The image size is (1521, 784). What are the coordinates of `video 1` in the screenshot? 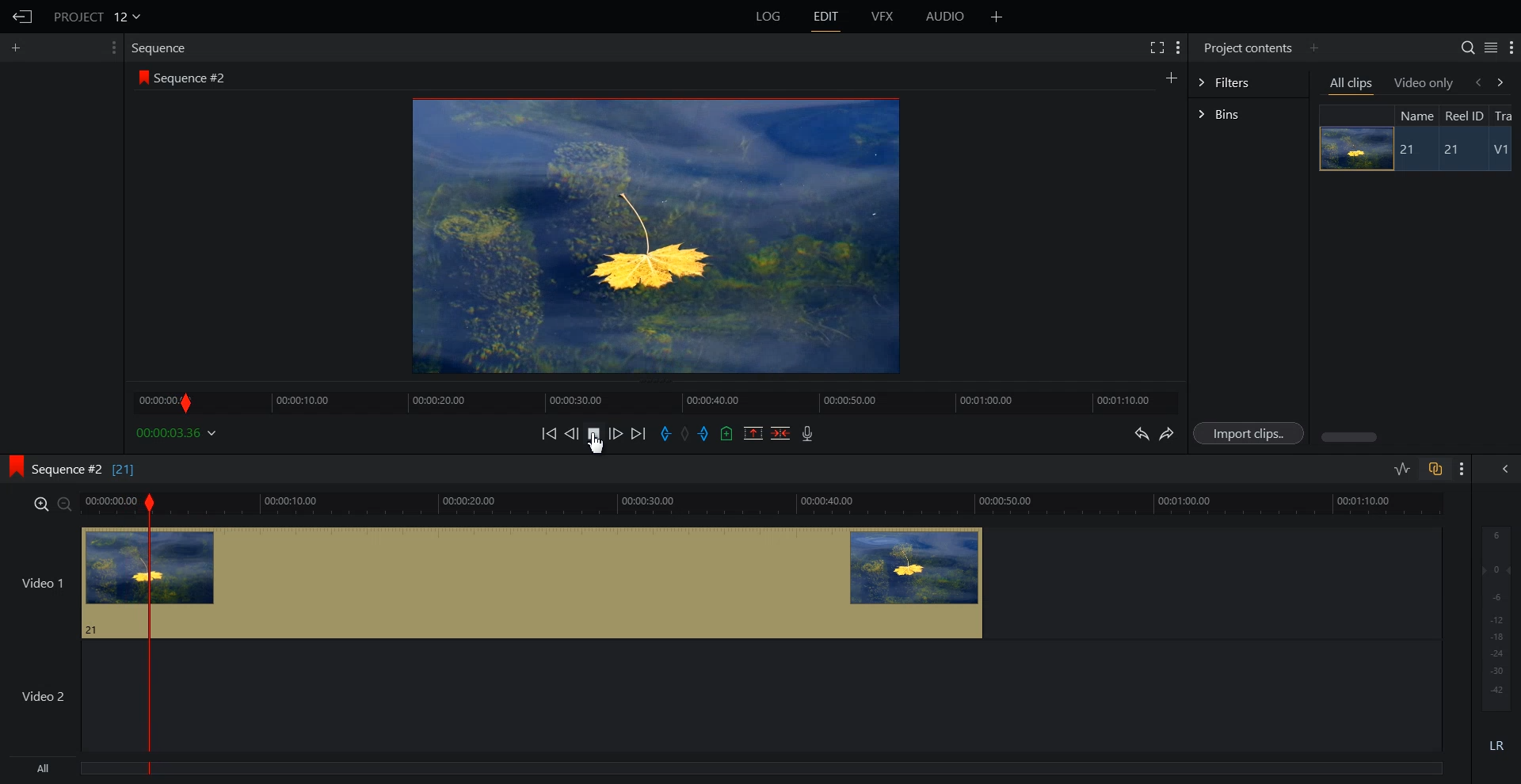 It's located at (494, 580).